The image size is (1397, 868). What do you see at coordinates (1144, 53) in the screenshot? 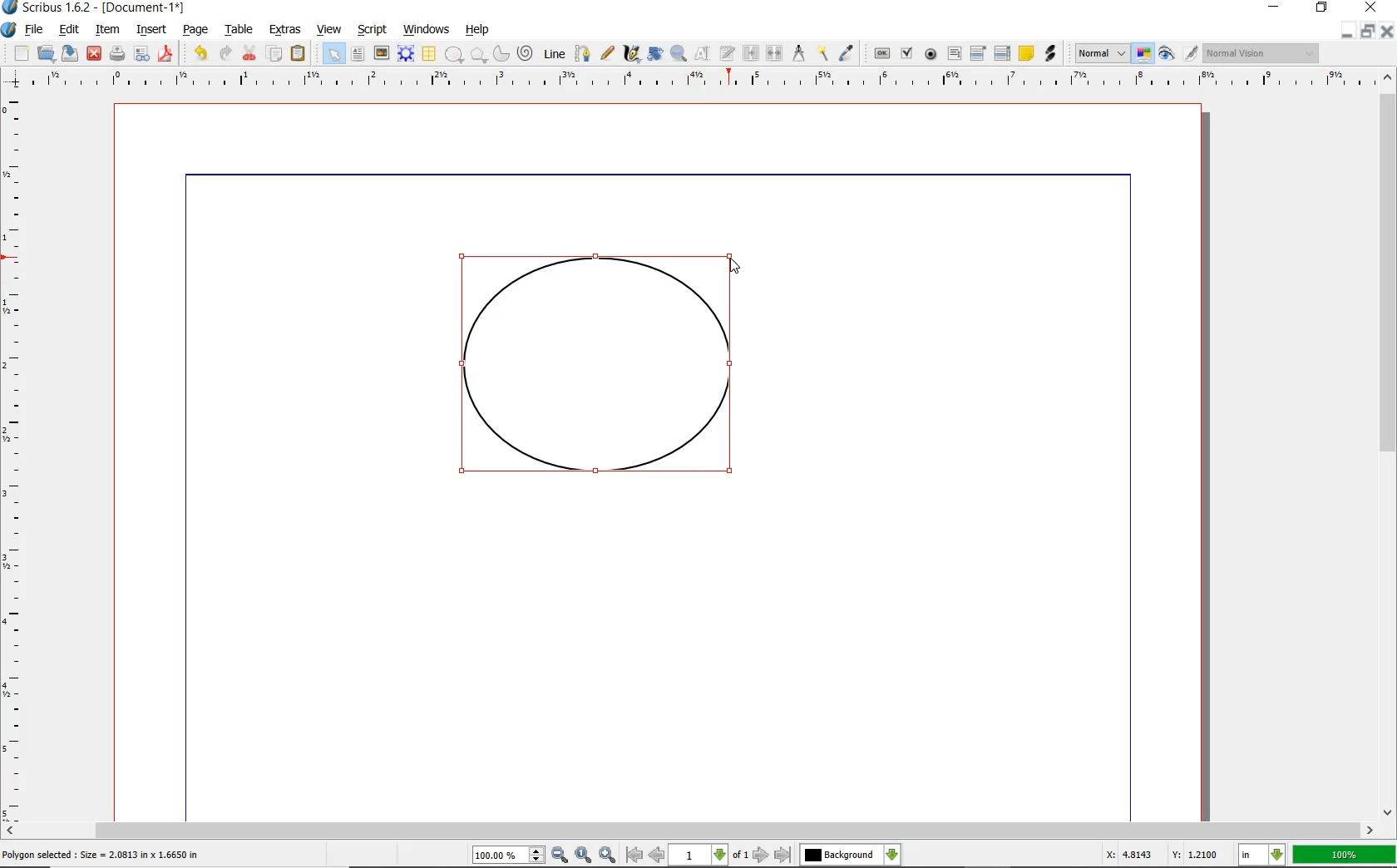
I see `TOGGLE COLOR MANAGEMENT SYSTEM` at bounding box center [1144, 53].